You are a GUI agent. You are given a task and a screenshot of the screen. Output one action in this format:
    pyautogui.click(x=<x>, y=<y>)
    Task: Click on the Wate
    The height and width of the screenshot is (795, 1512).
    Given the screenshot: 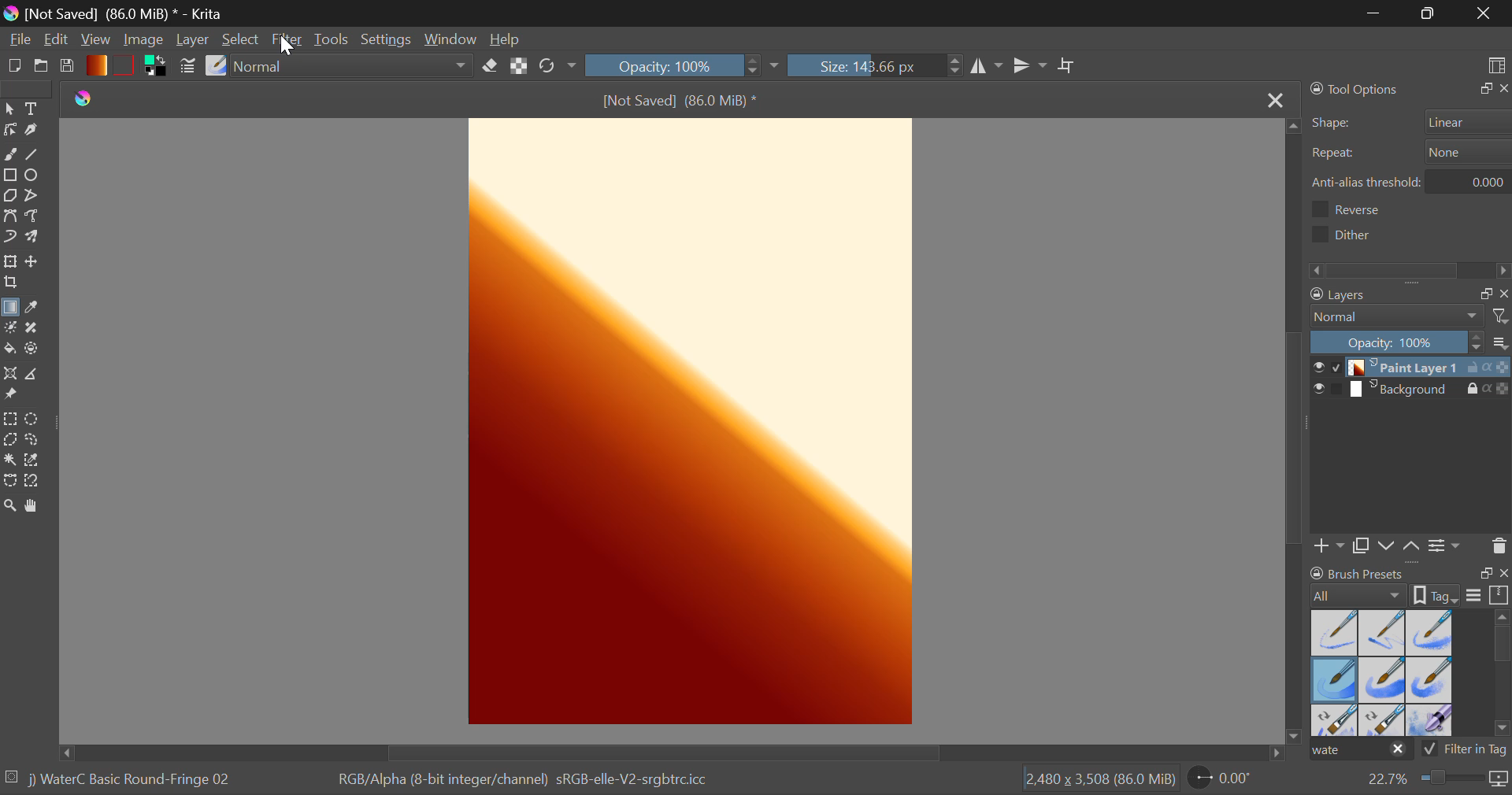 What is the action you would take?
    pyautogui.click(x=1360, y=749)
    